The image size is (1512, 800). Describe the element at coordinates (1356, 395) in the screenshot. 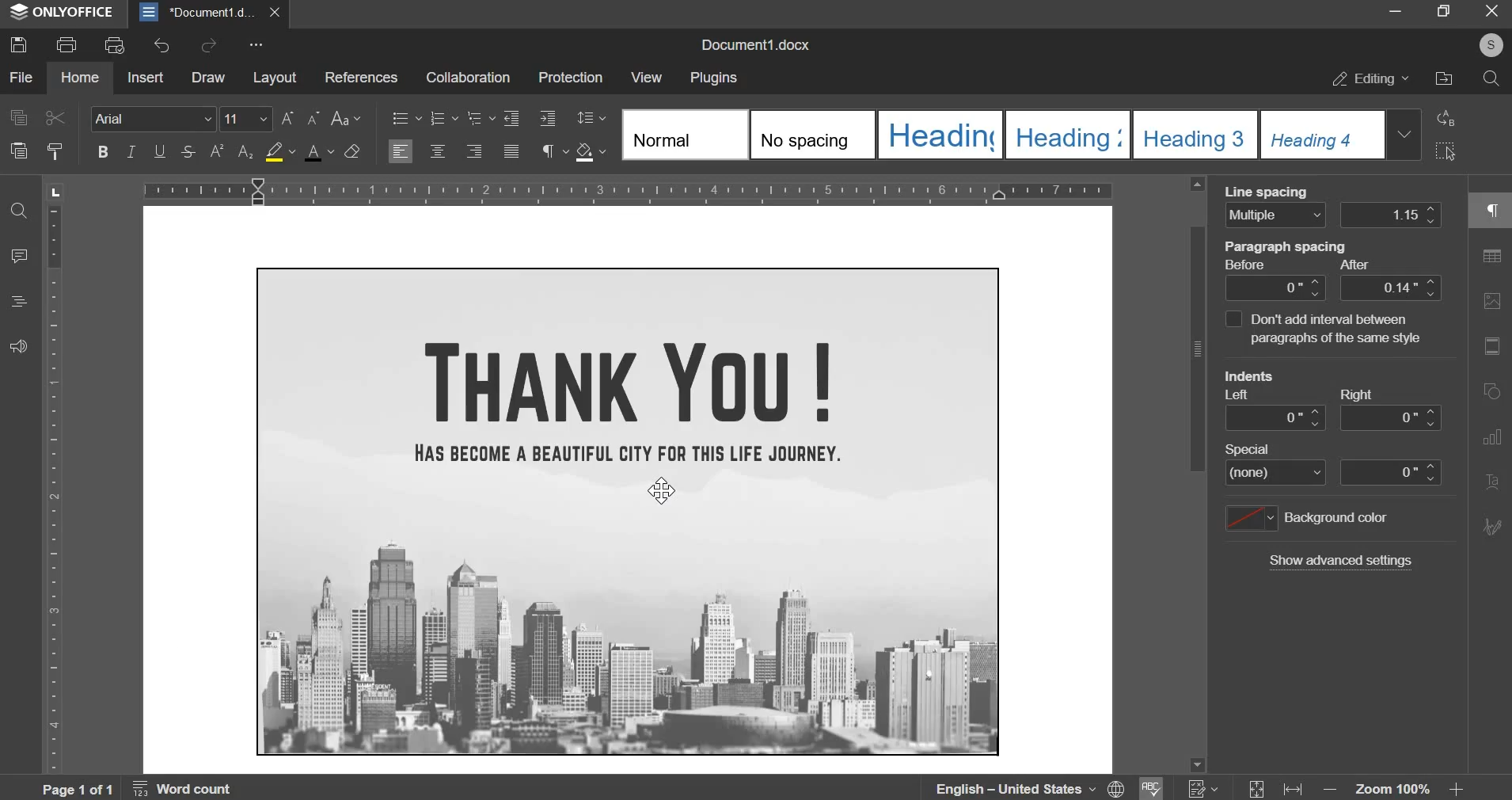

I see `right` at that location.